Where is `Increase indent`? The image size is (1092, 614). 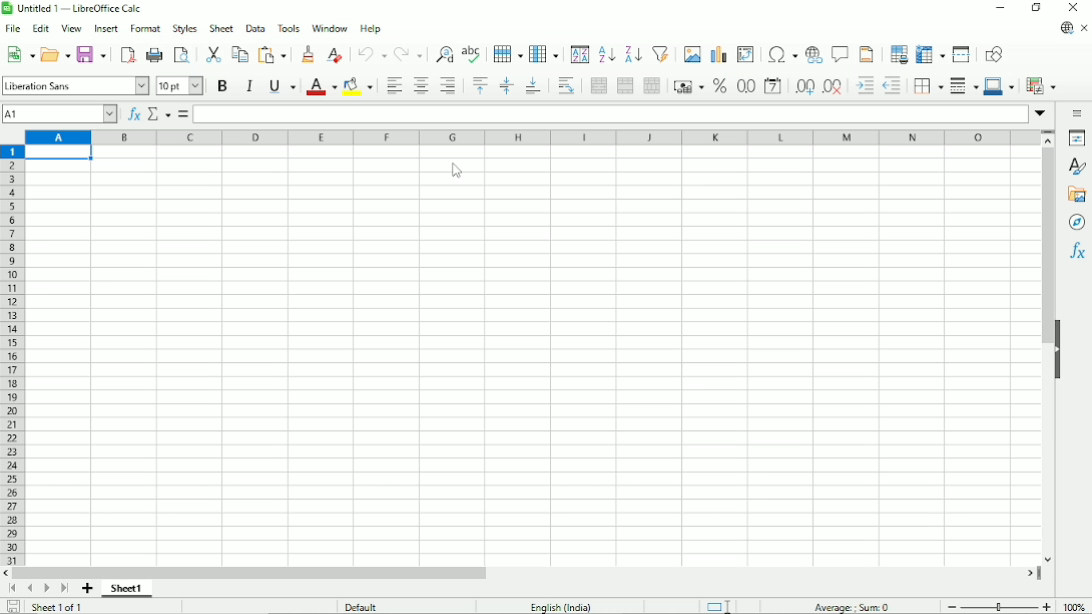
Increase indent is located at coordinates (863, 87).